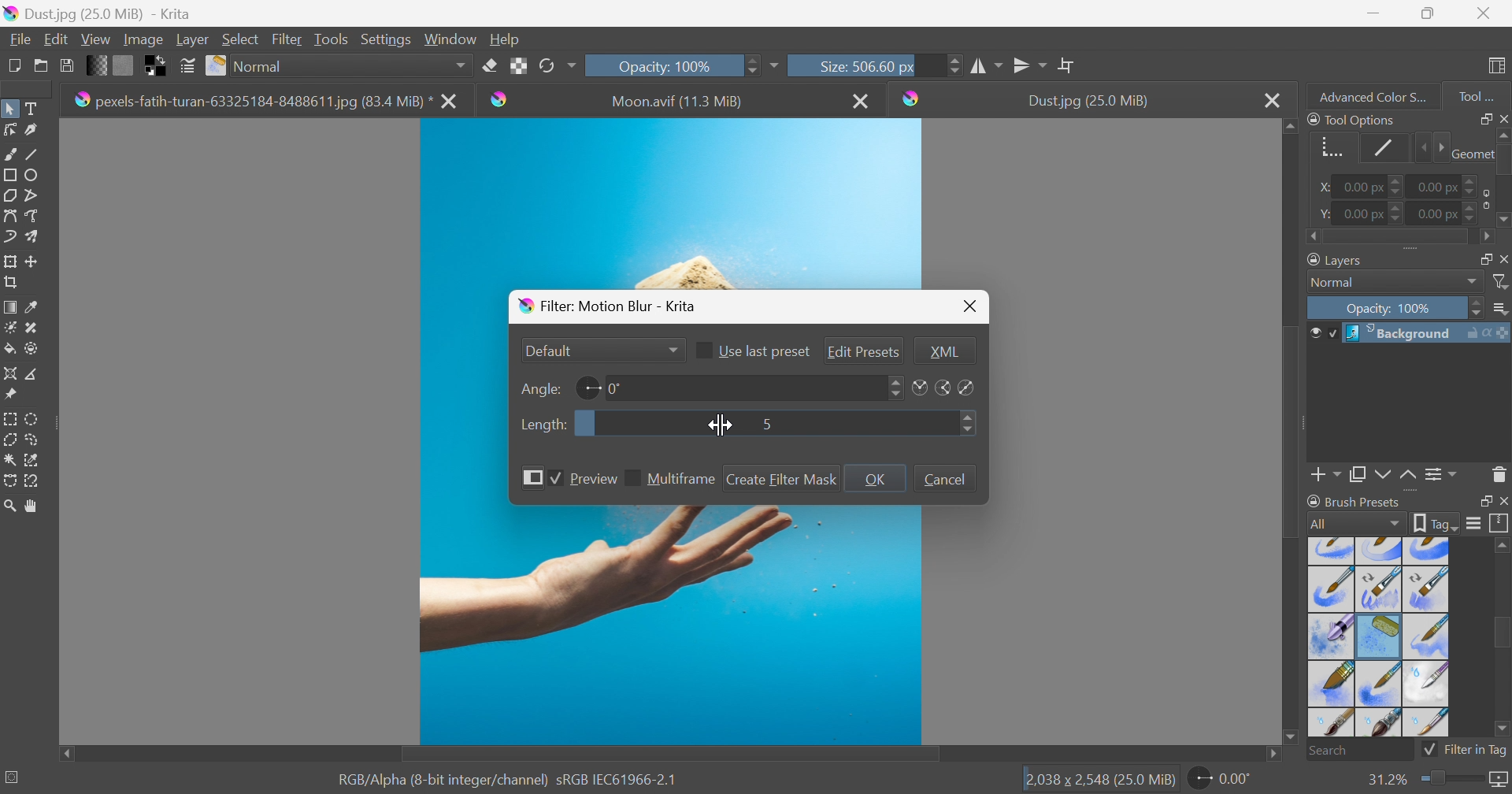 The height and width of the screenshot is (794, 1512). Describe the element at coordinates (769, 425) in the screenshot. I see `5` at that location.